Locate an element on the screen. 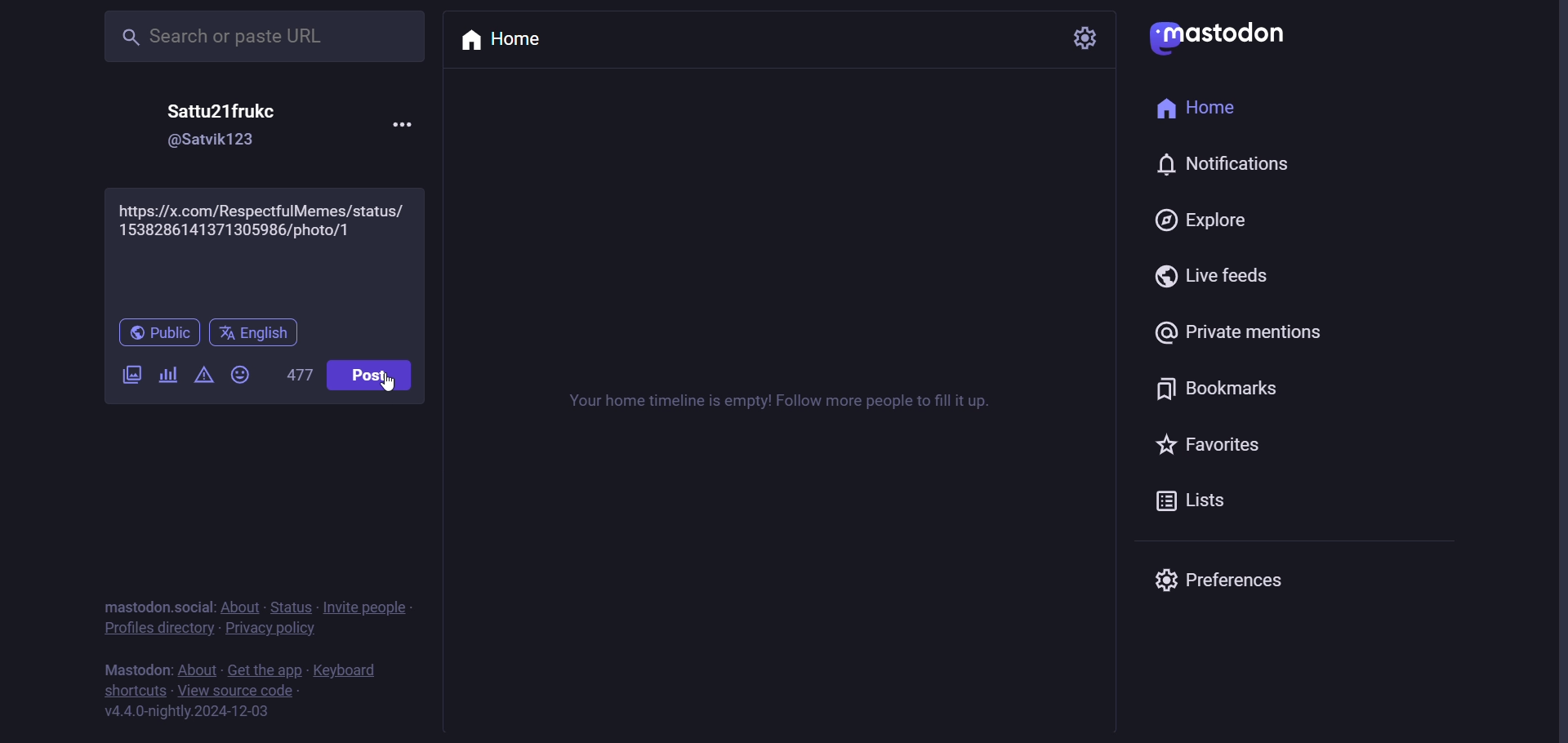 The height and width of the screenshot is (743, 1568). lists is located at coordinates (1195, 500).